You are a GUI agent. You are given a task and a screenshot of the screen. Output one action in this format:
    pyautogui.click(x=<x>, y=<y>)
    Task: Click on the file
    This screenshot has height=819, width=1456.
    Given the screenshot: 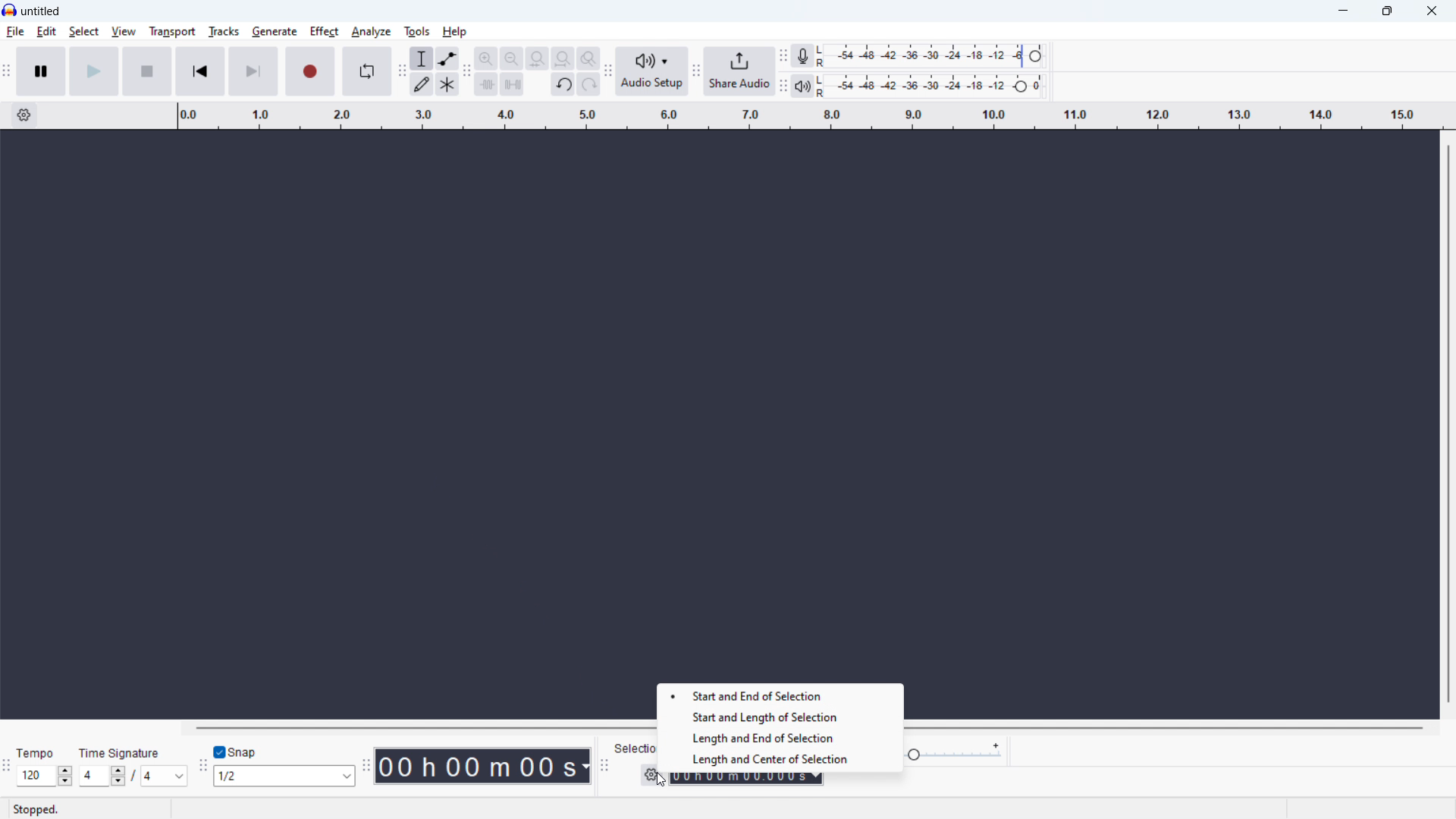 What is the action you would take?
    pyautogui.click(x=14, y=32)
    